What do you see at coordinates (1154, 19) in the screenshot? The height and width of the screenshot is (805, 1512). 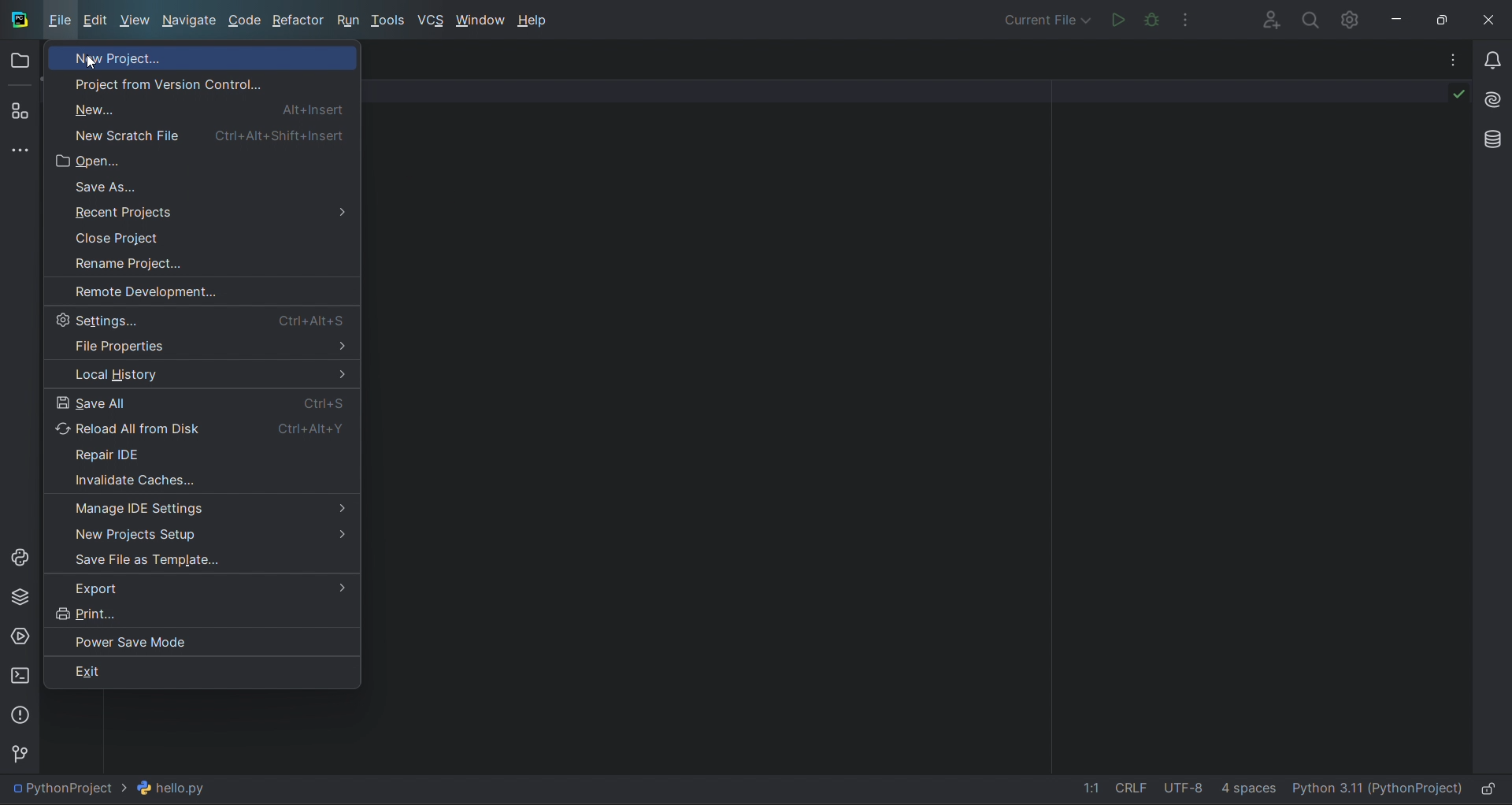 I see `debug` at bounding box center [1154, 19].